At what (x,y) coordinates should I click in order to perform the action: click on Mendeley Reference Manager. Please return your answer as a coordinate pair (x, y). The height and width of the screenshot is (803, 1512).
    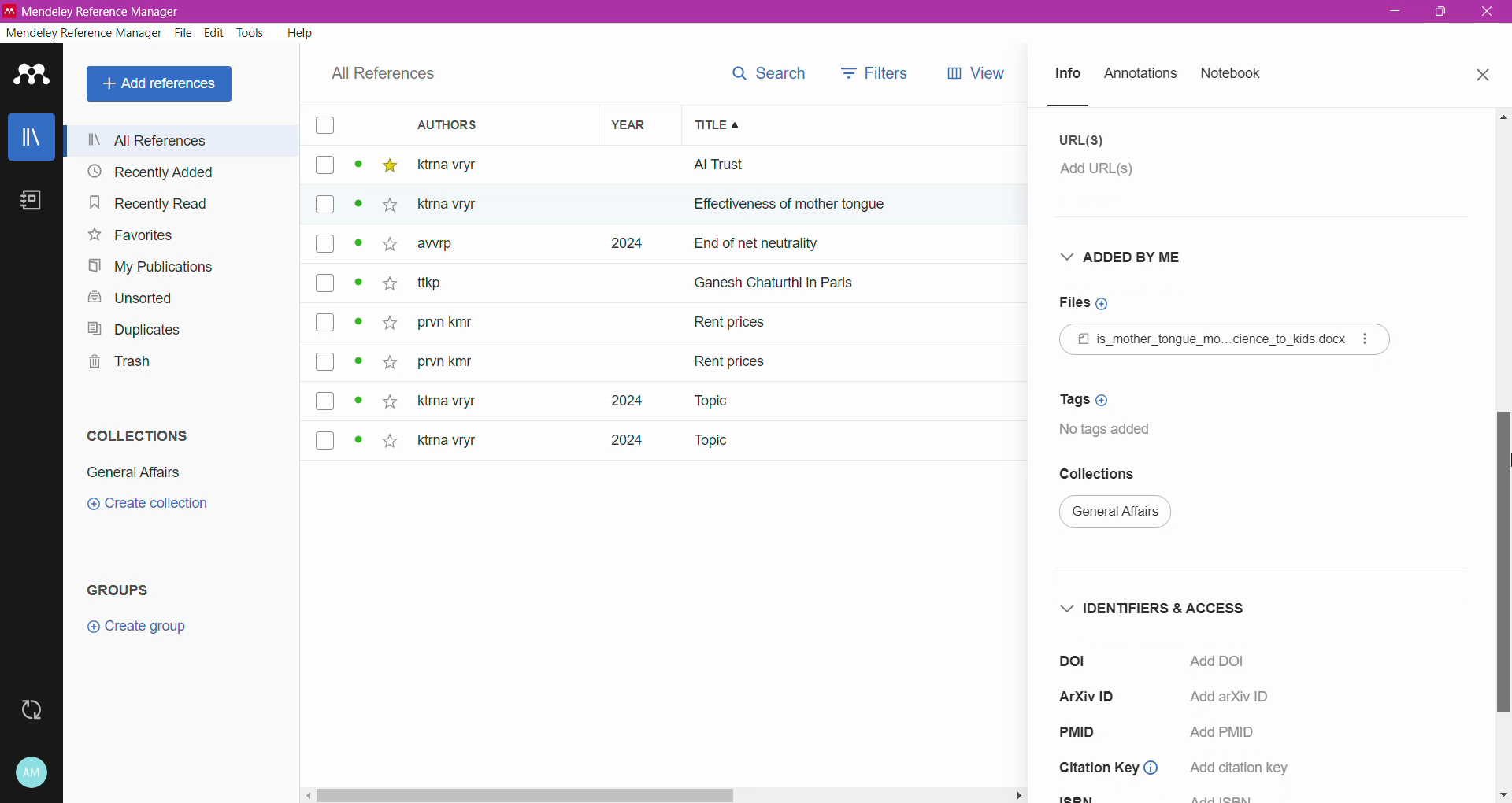
    Looking at the image, I should click on (83, 33).